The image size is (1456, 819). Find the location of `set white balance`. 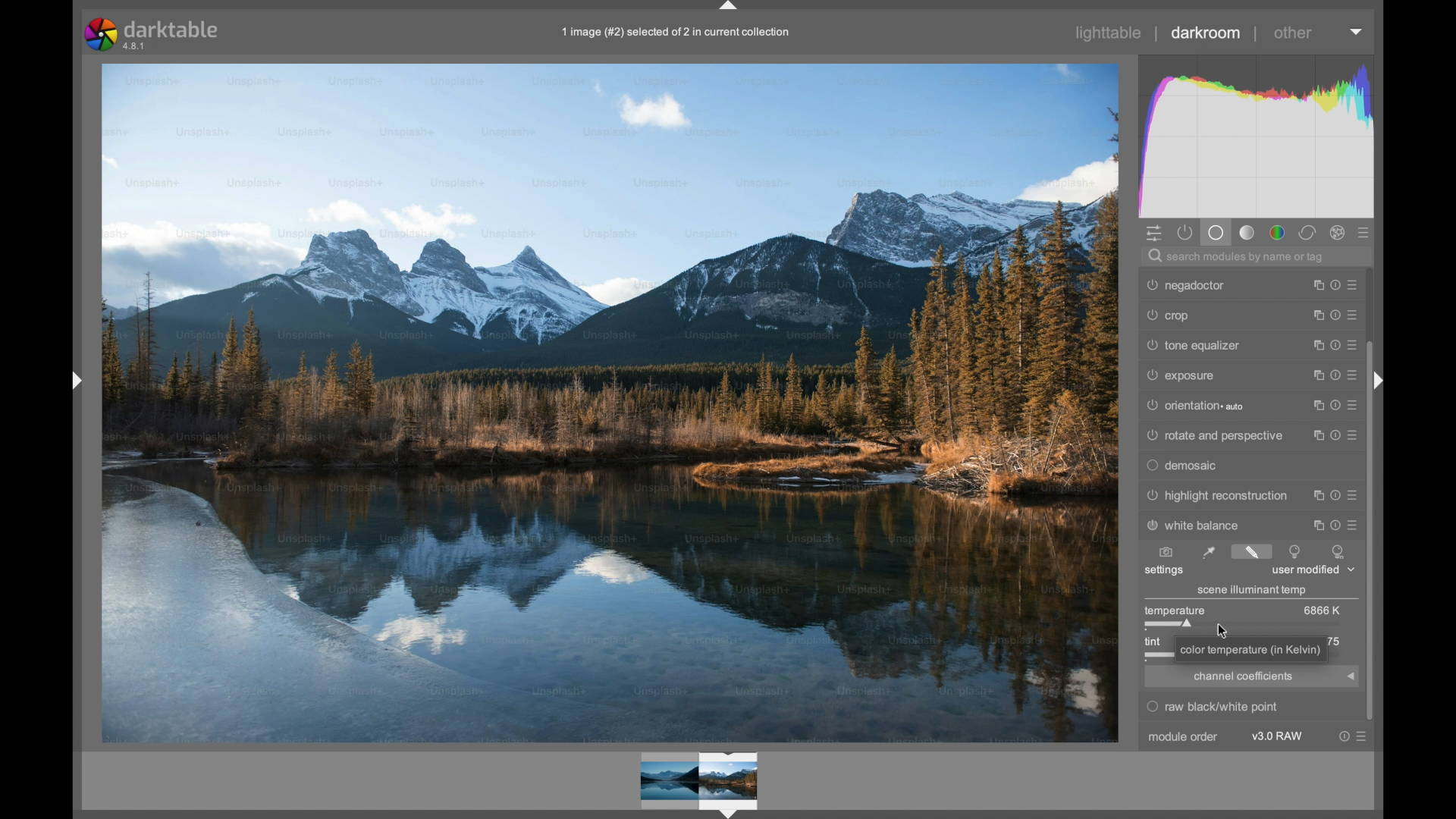

set white balance is located at coordinates (1210, 552).